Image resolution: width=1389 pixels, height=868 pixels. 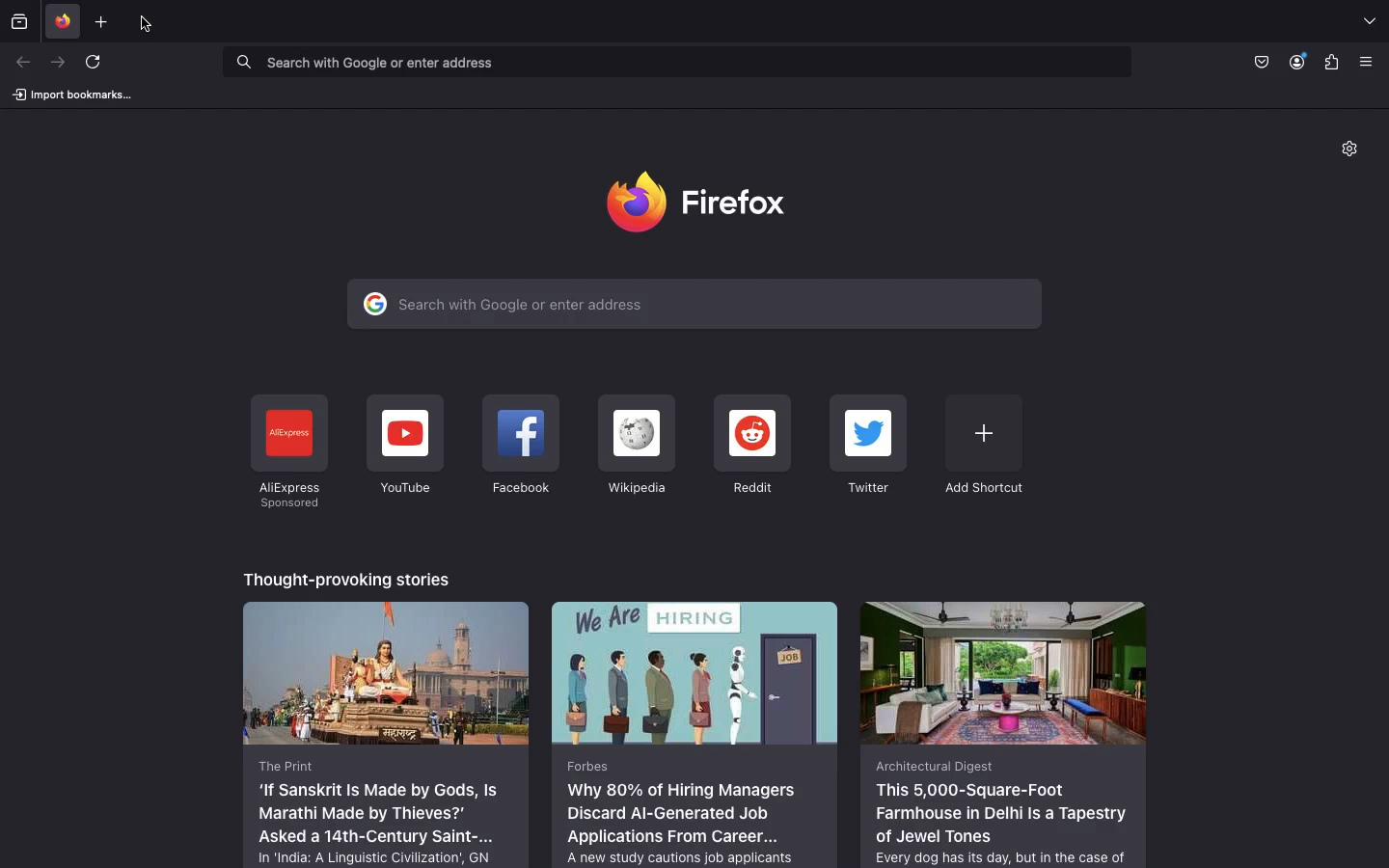 I want to click on Account, so click(x=1299, y=62).